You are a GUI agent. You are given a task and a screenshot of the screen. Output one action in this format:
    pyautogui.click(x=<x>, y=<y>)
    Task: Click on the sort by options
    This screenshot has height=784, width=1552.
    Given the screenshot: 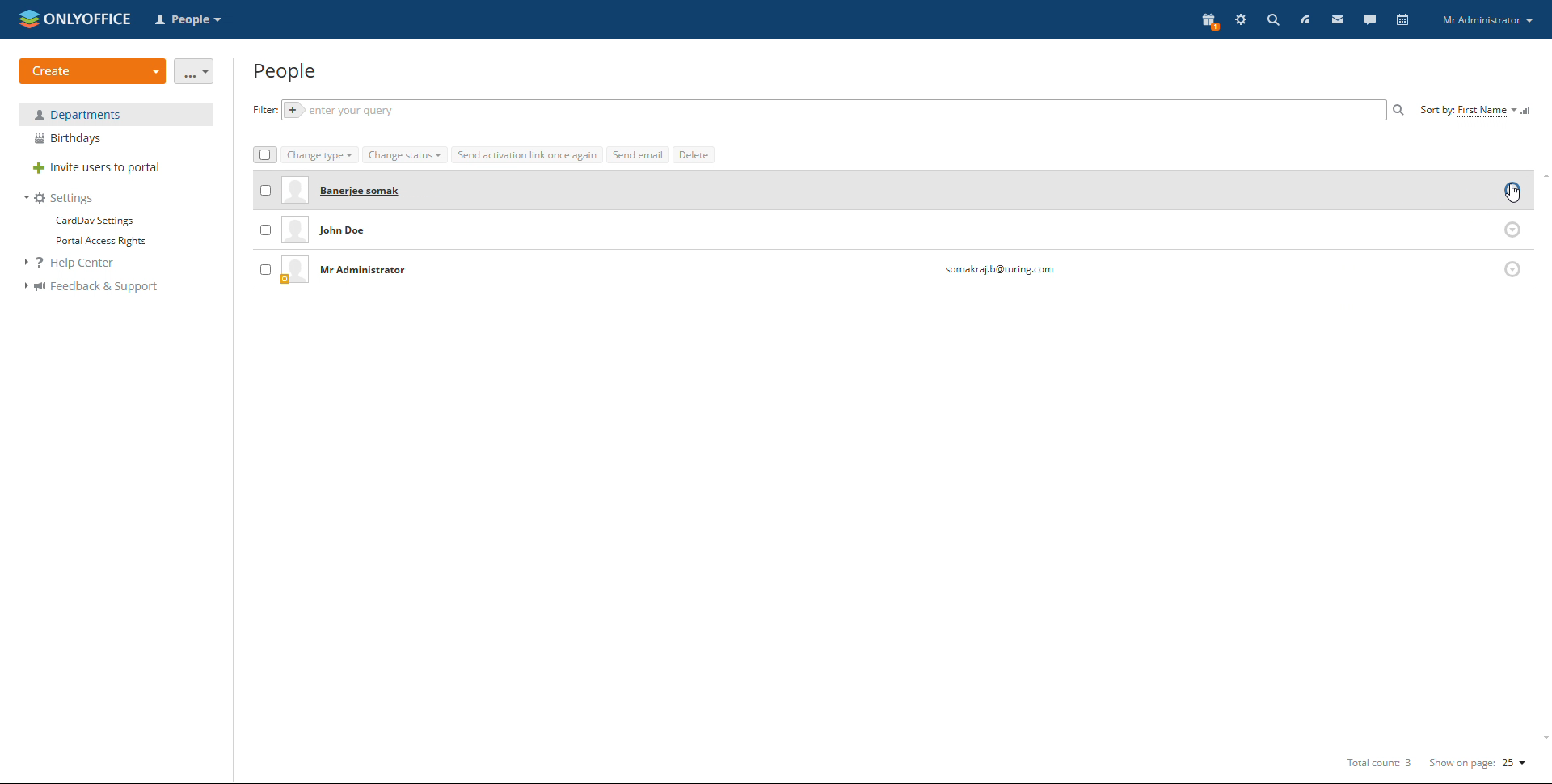 What is the action you would take?
    pyautogui.click(x=1468, y=111)
    